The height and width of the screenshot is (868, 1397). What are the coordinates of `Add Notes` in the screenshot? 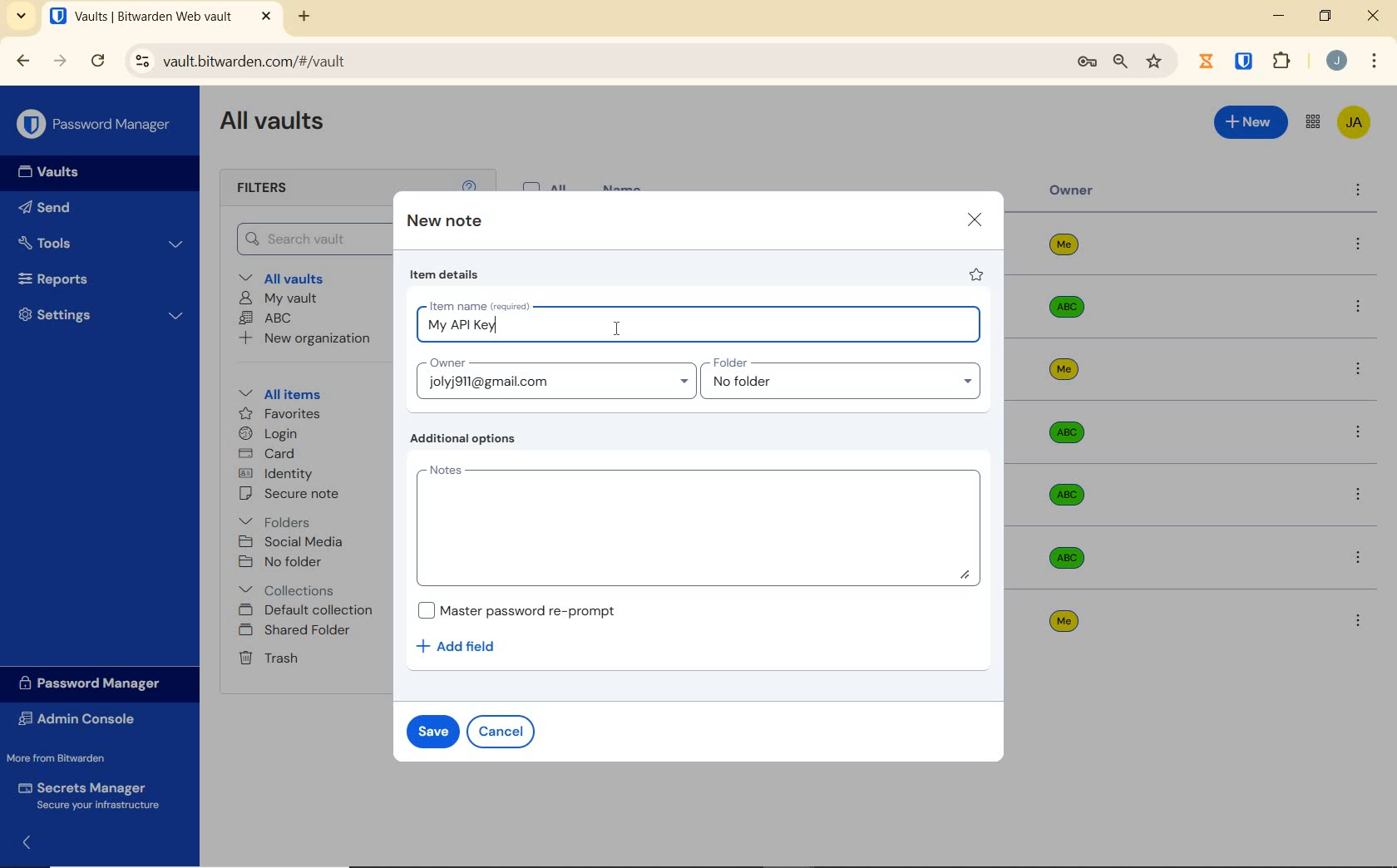 It's located at (701, 525).